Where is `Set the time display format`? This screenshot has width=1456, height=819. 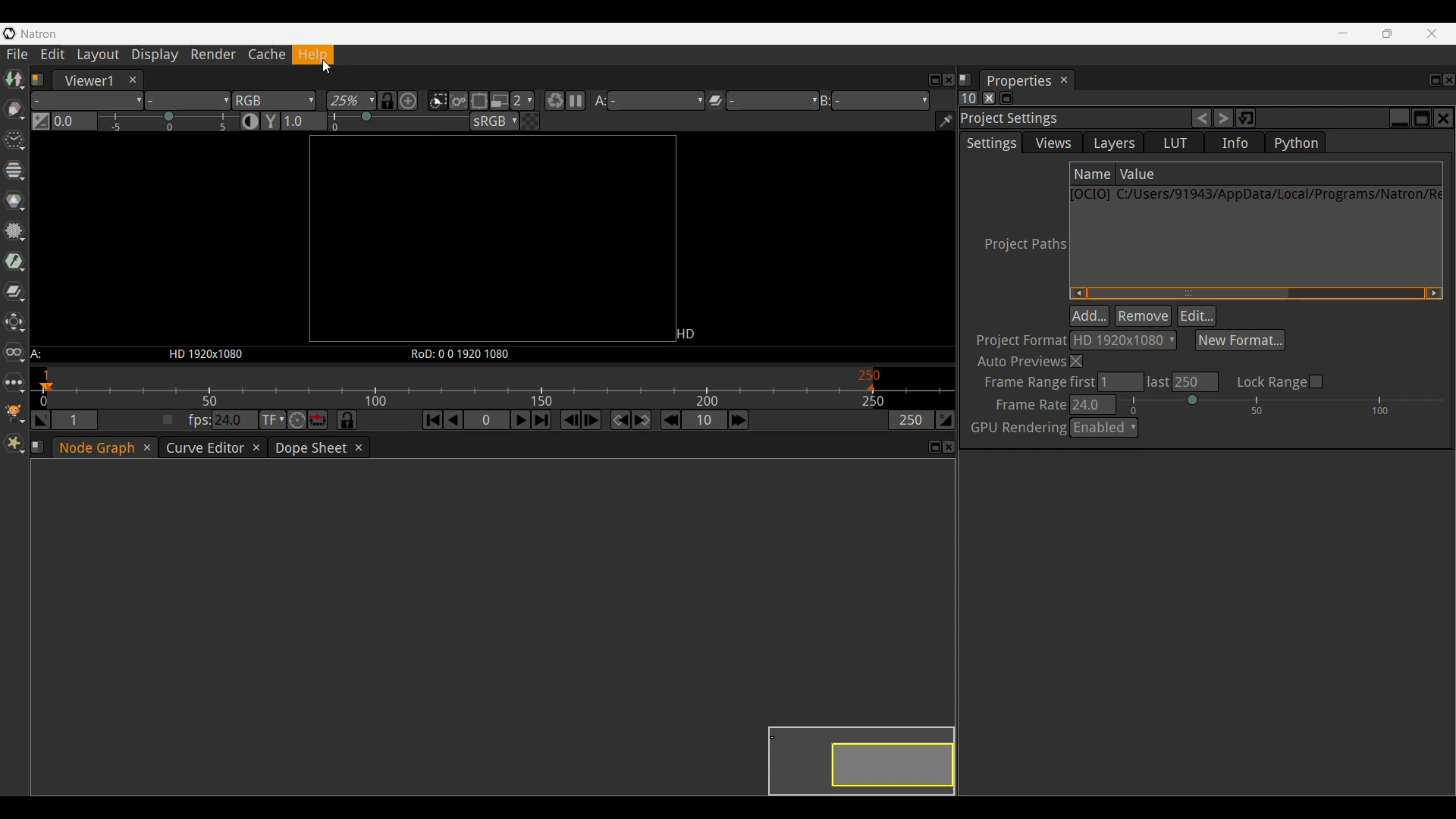
Set the time display format is located at coordinates (273, 419).